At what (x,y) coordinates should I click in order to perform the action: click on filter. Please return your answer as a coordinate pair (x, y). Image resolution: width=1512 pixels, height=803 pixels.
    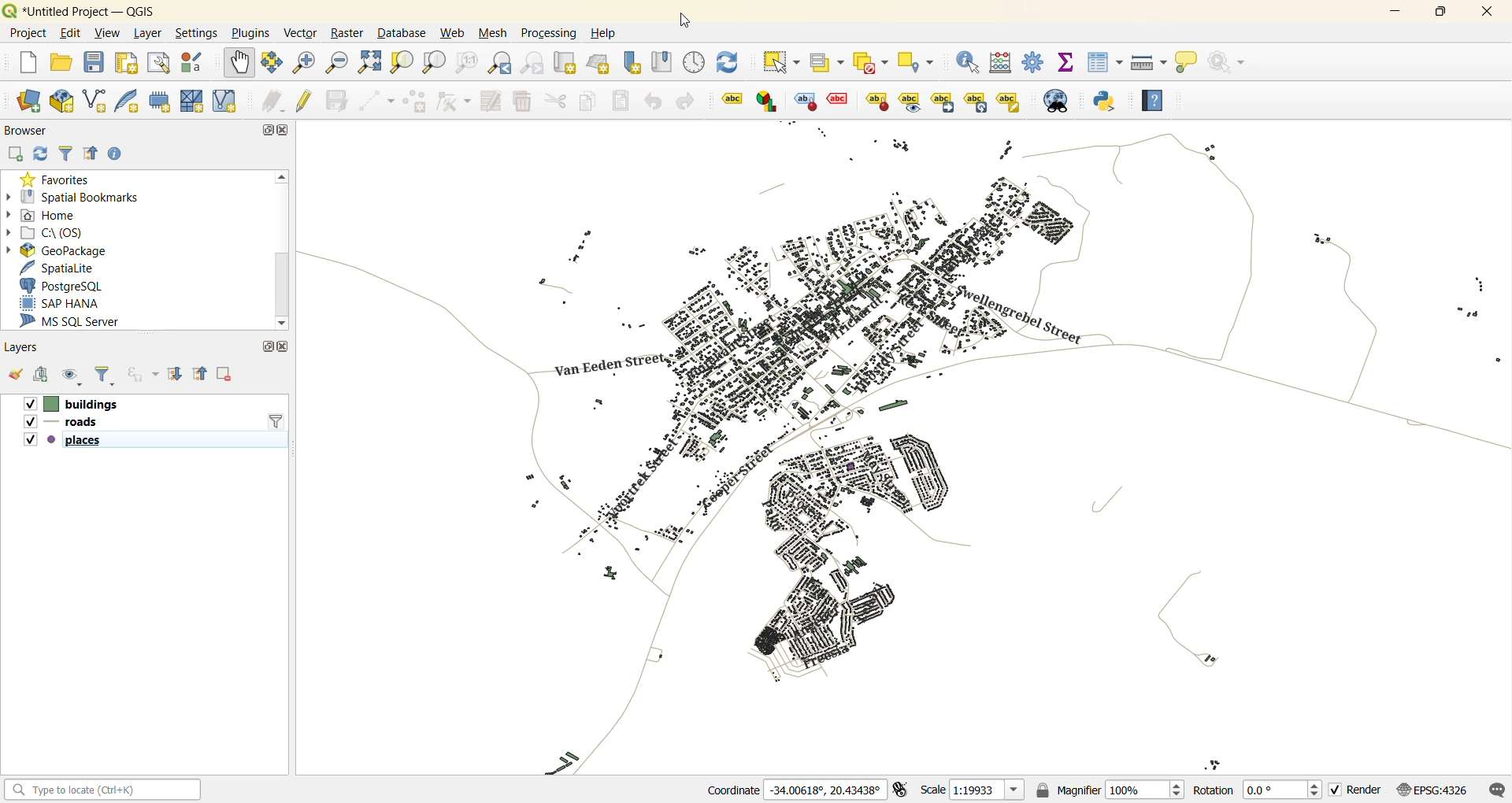
    Looking at the image, I should click on (67, 154).